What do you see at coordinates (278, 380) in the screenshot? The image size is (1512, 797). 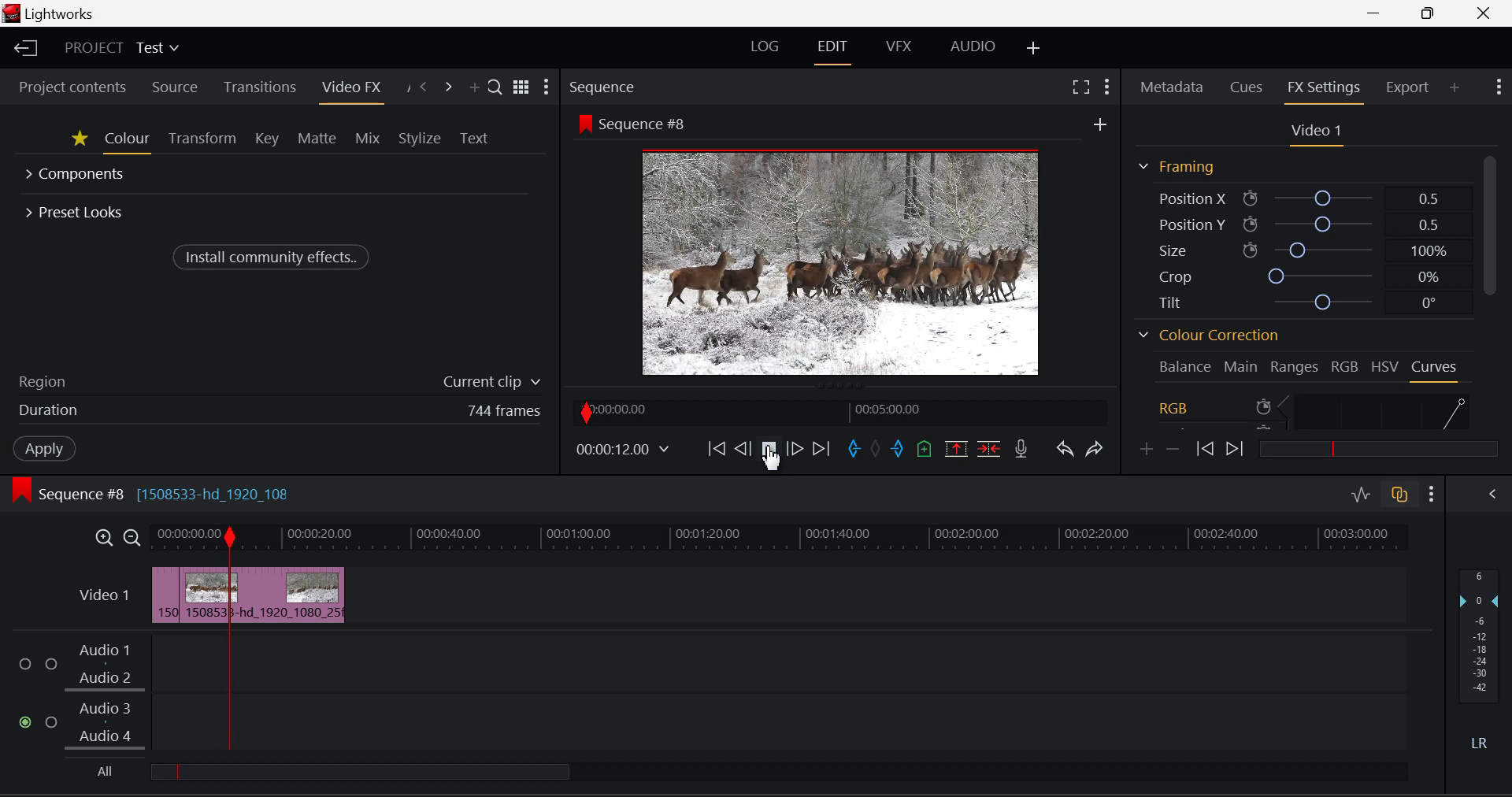 I see `Region` at bounding box center [278, 380].